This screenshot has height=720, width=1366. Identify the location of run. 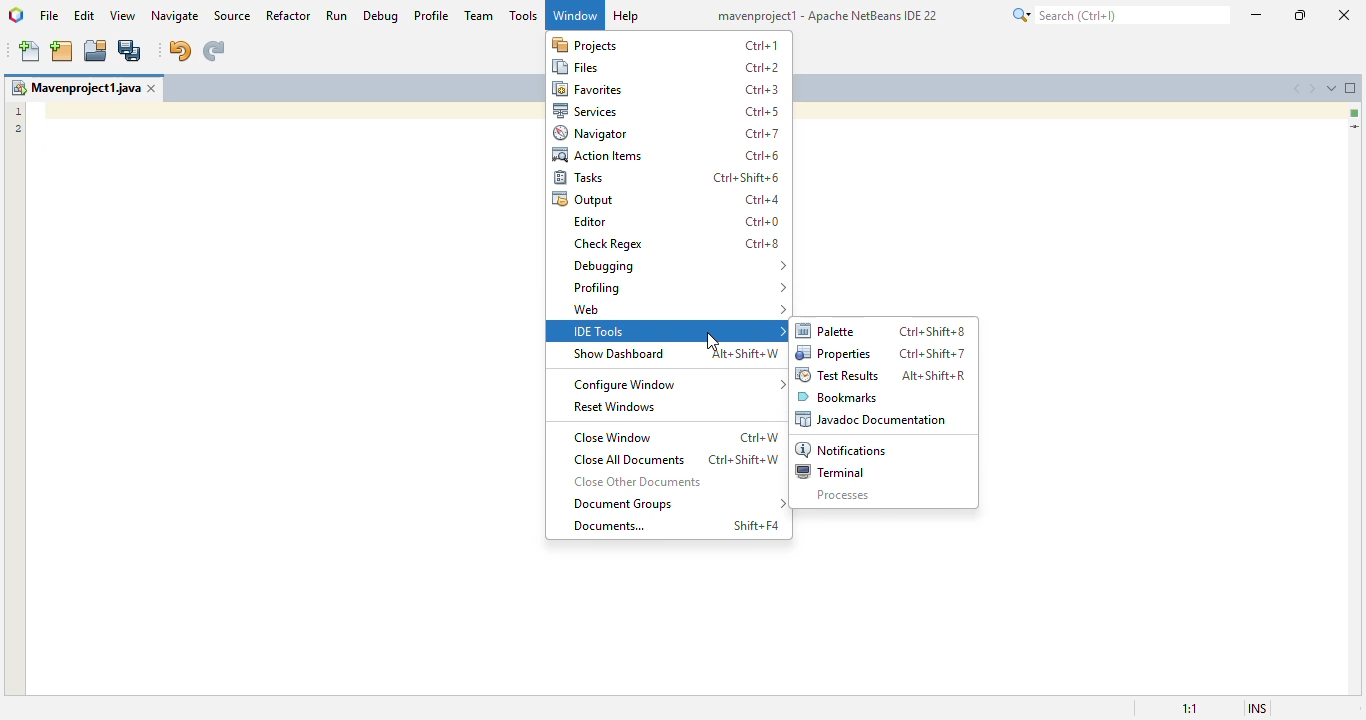
(336, 15).